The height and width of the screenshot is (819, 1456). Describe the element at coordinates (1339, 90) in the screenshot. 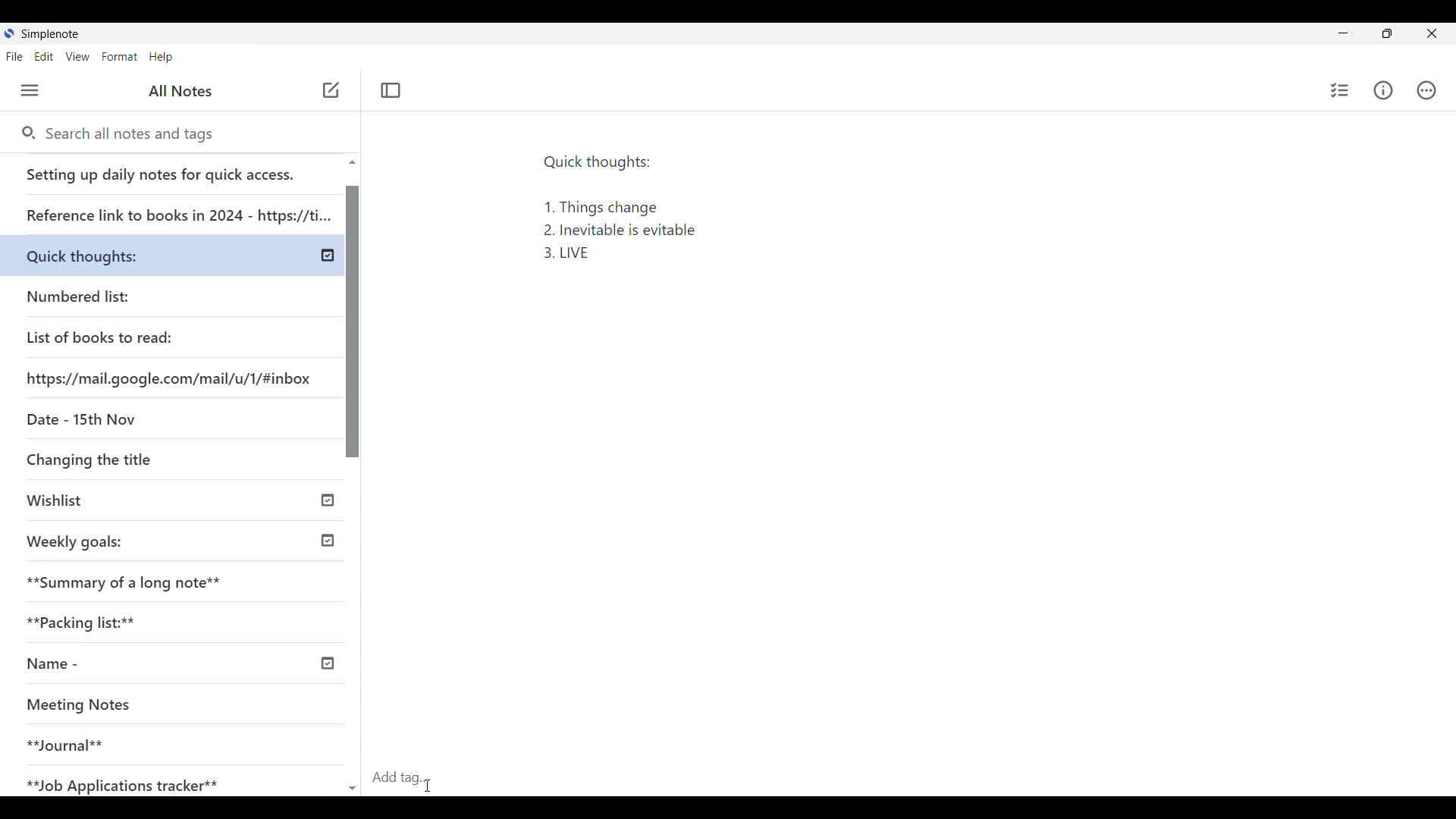

I see `Insert checklist` at that location.